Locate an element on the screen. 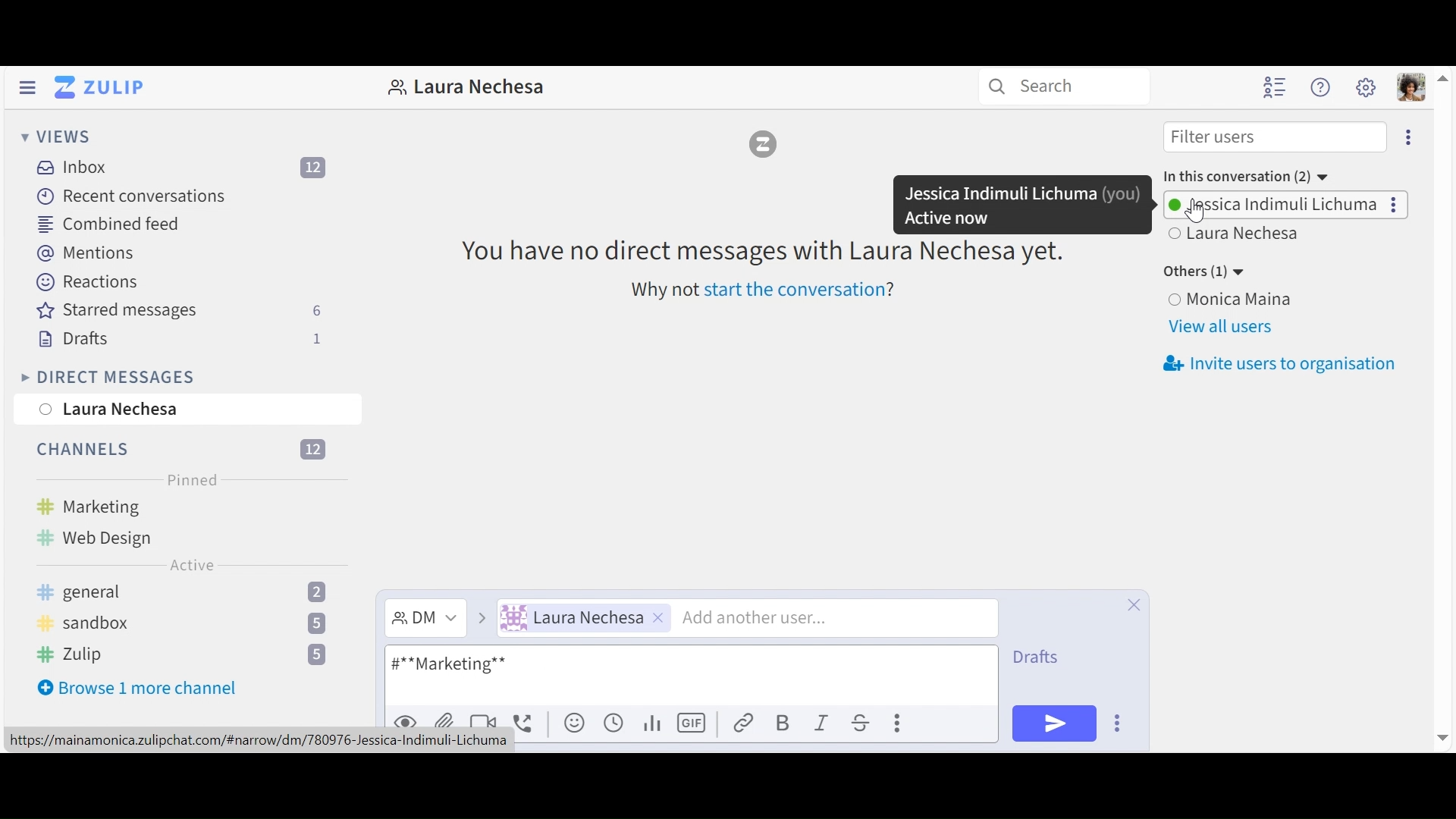  Views is located at coordinates (55, 136).